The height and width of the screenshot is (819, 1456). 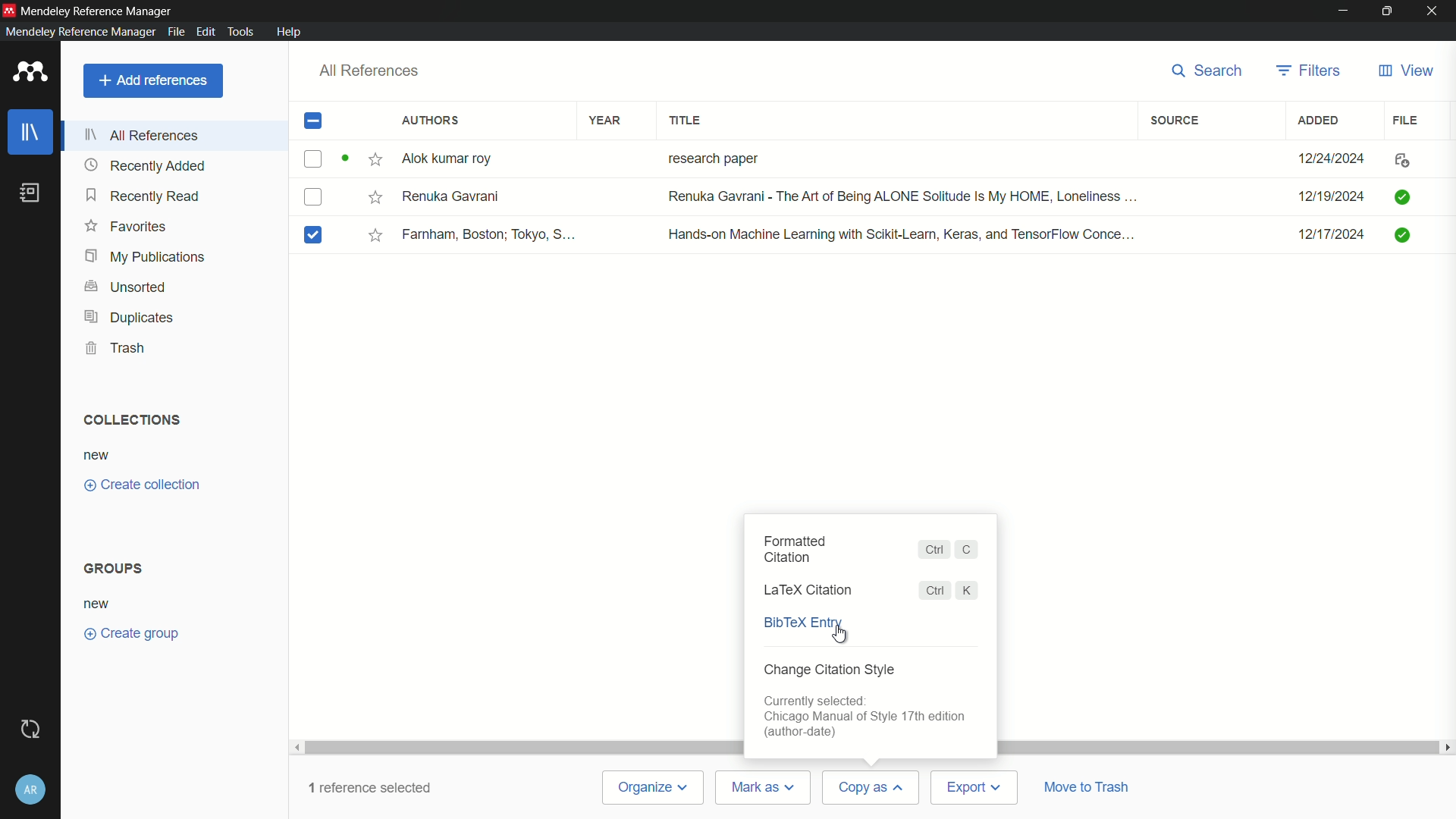 I want to click on Alok Kumar Roy, so click(x=458, y=158).